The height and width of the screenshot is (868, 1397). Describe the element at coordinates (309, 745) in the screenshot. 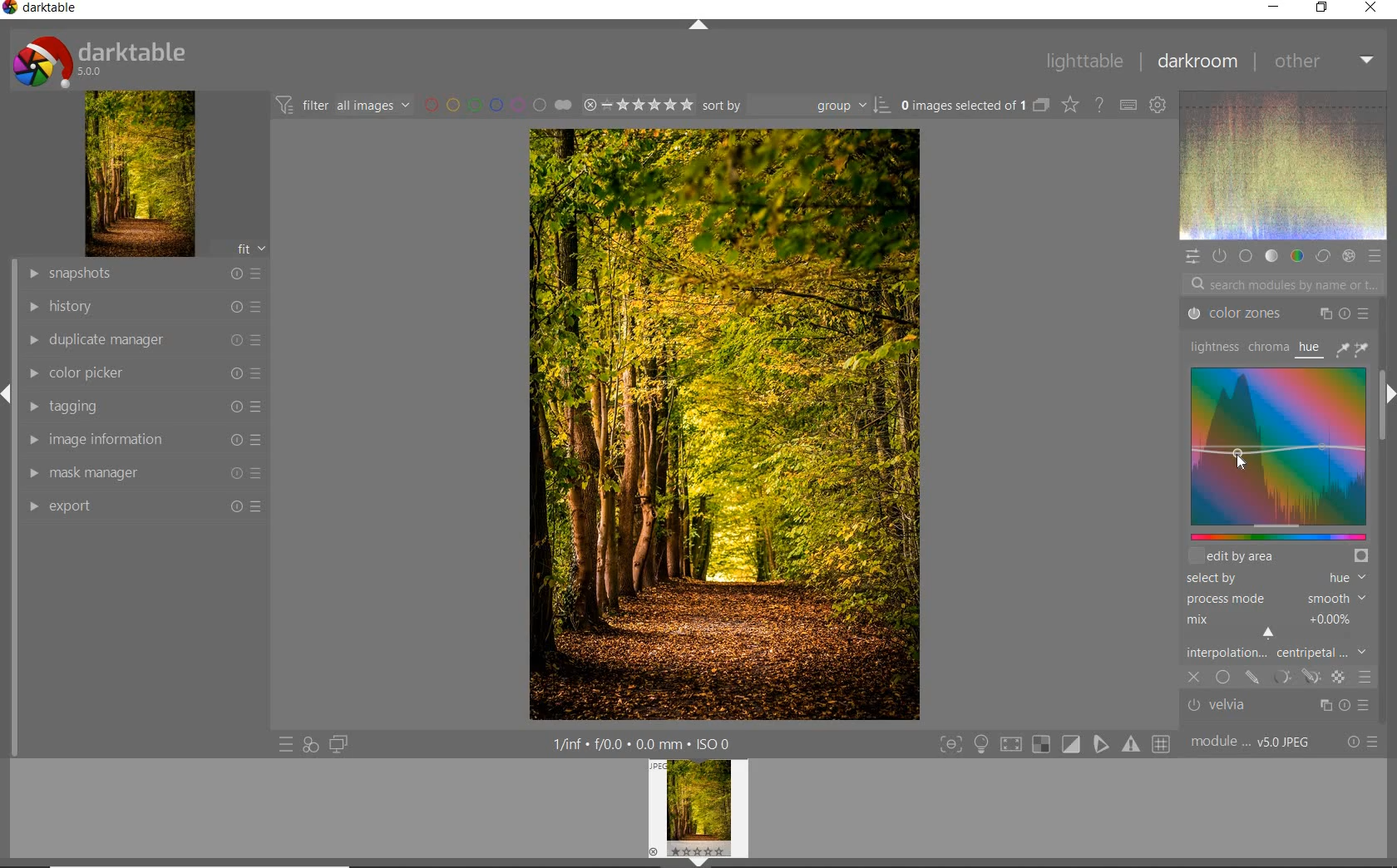

I see `QUICK ACCESS FOR APPLYING OF YOUR STYLES` at that location.